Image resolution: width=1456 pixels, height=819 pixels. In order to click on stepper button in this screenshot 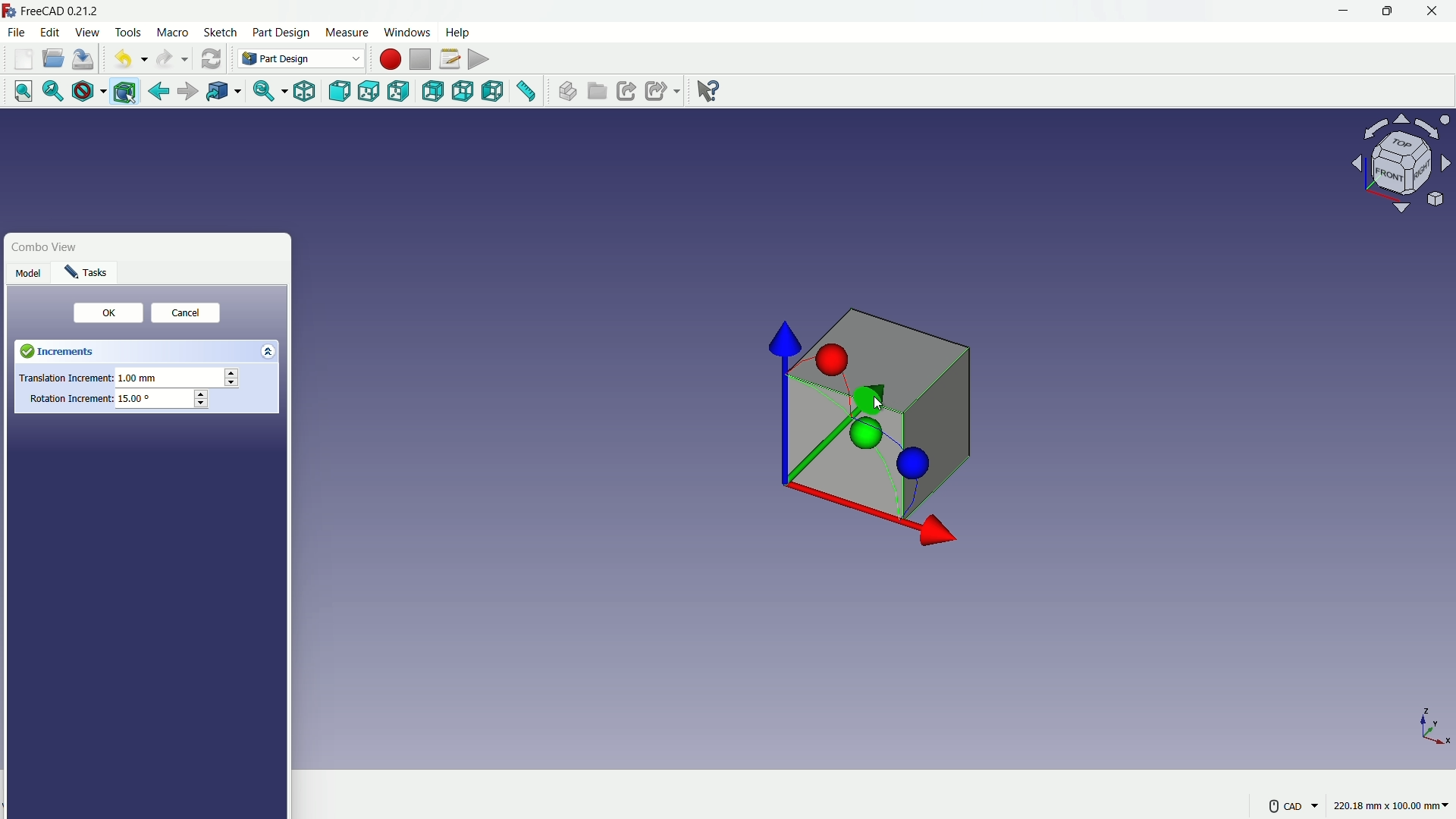, I will do `click(231, 378)`.